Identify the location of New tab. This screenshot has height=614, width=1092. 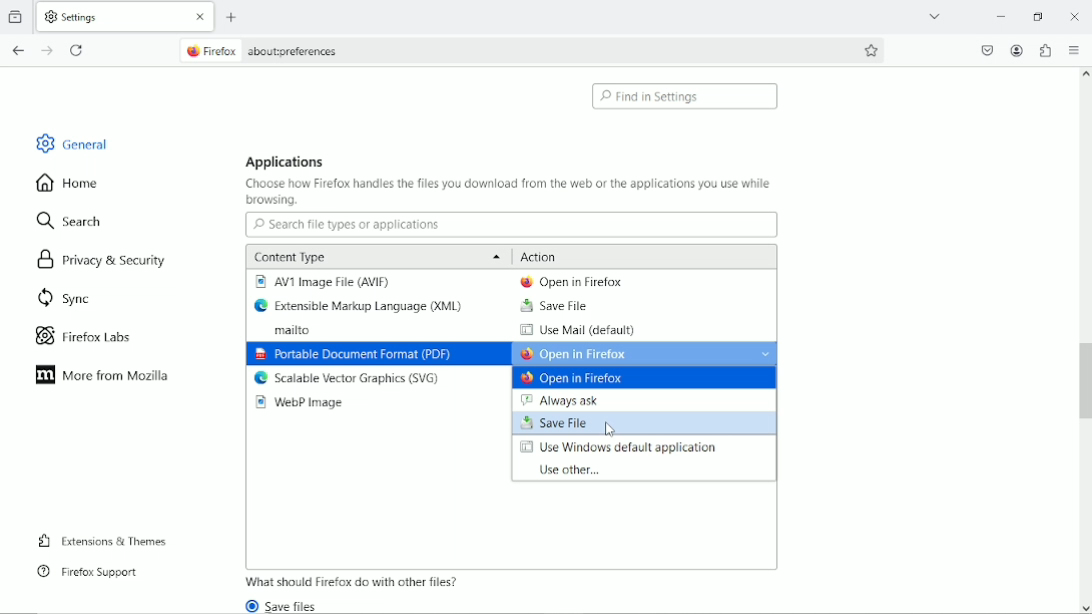
(233, 18).